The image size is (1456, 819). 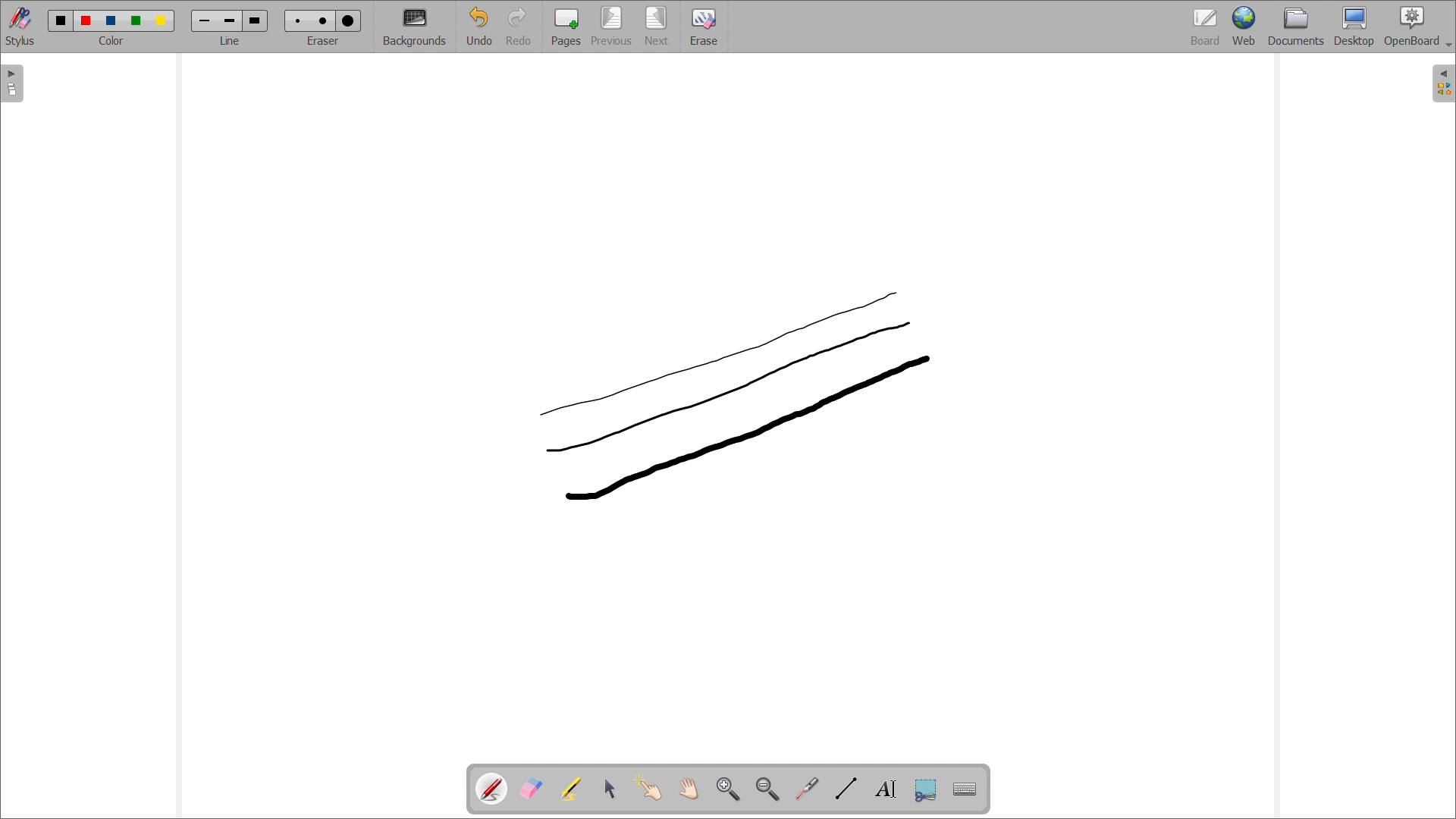 I want to click on add pages, so click(x=566, y=27).